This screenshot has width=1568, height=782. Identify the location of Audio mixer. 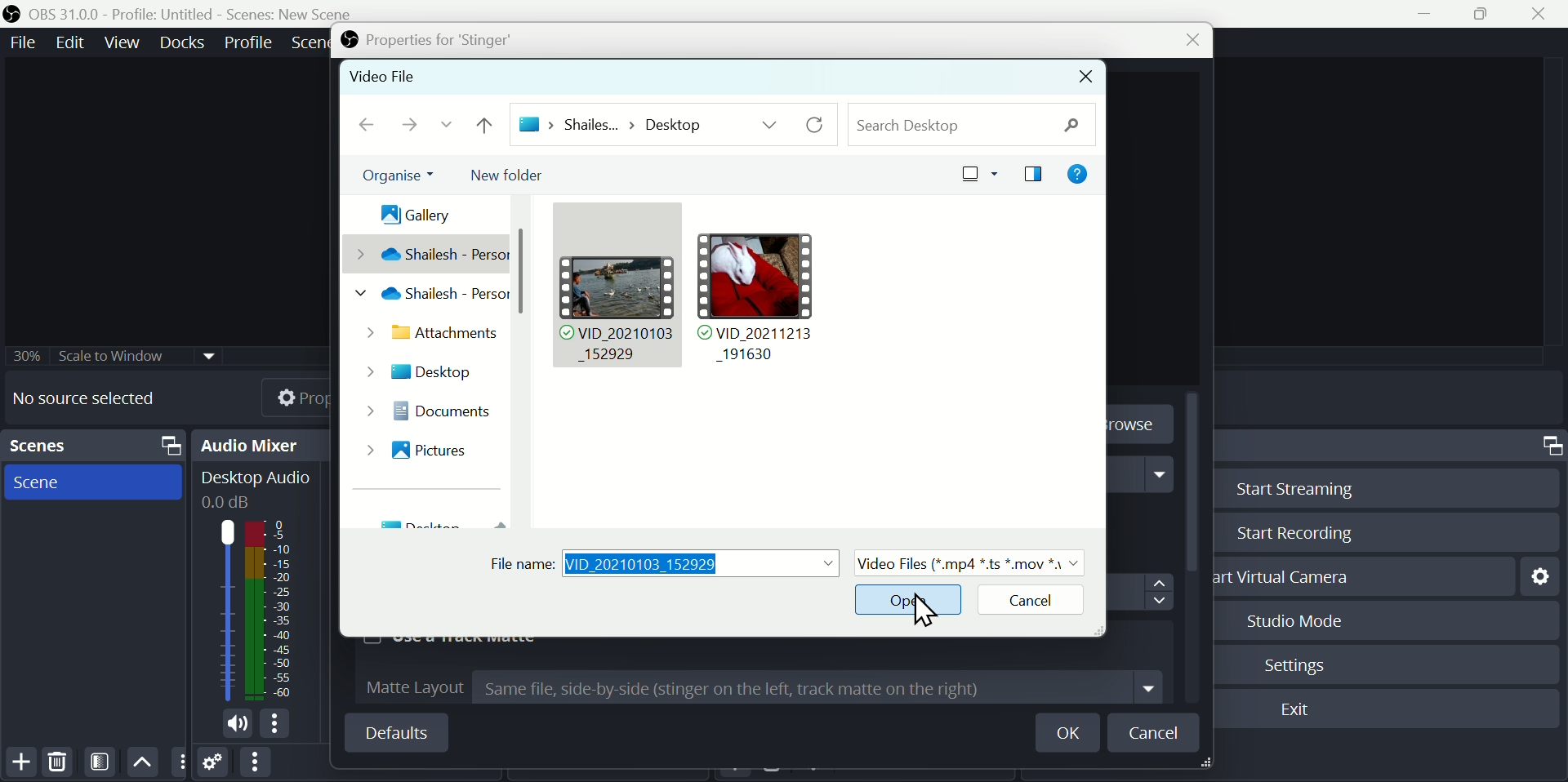
(265, 444).